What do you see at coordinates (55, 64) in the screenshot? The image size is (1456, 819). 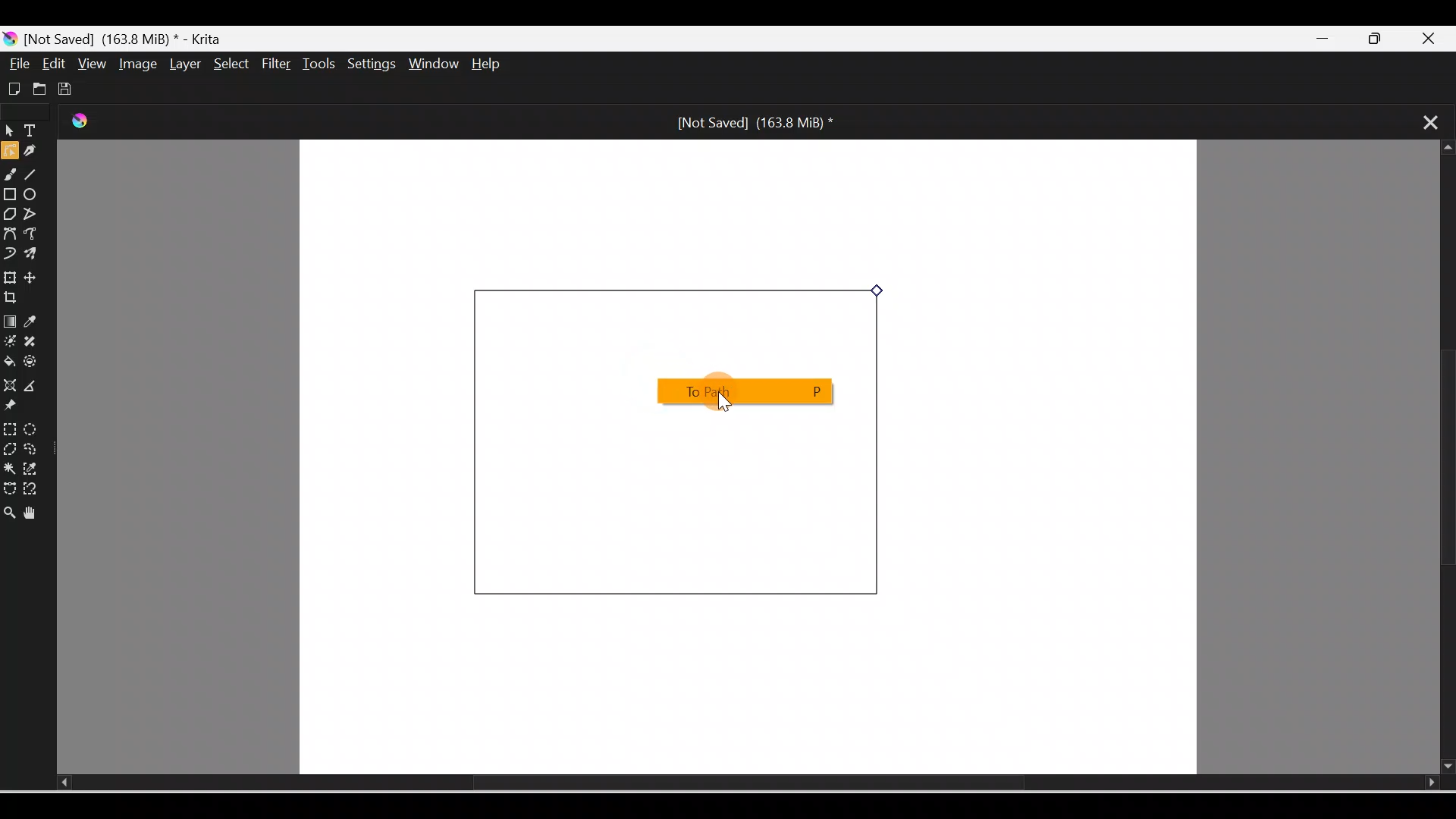 I see `Edit` at bounding box center [55, 64].